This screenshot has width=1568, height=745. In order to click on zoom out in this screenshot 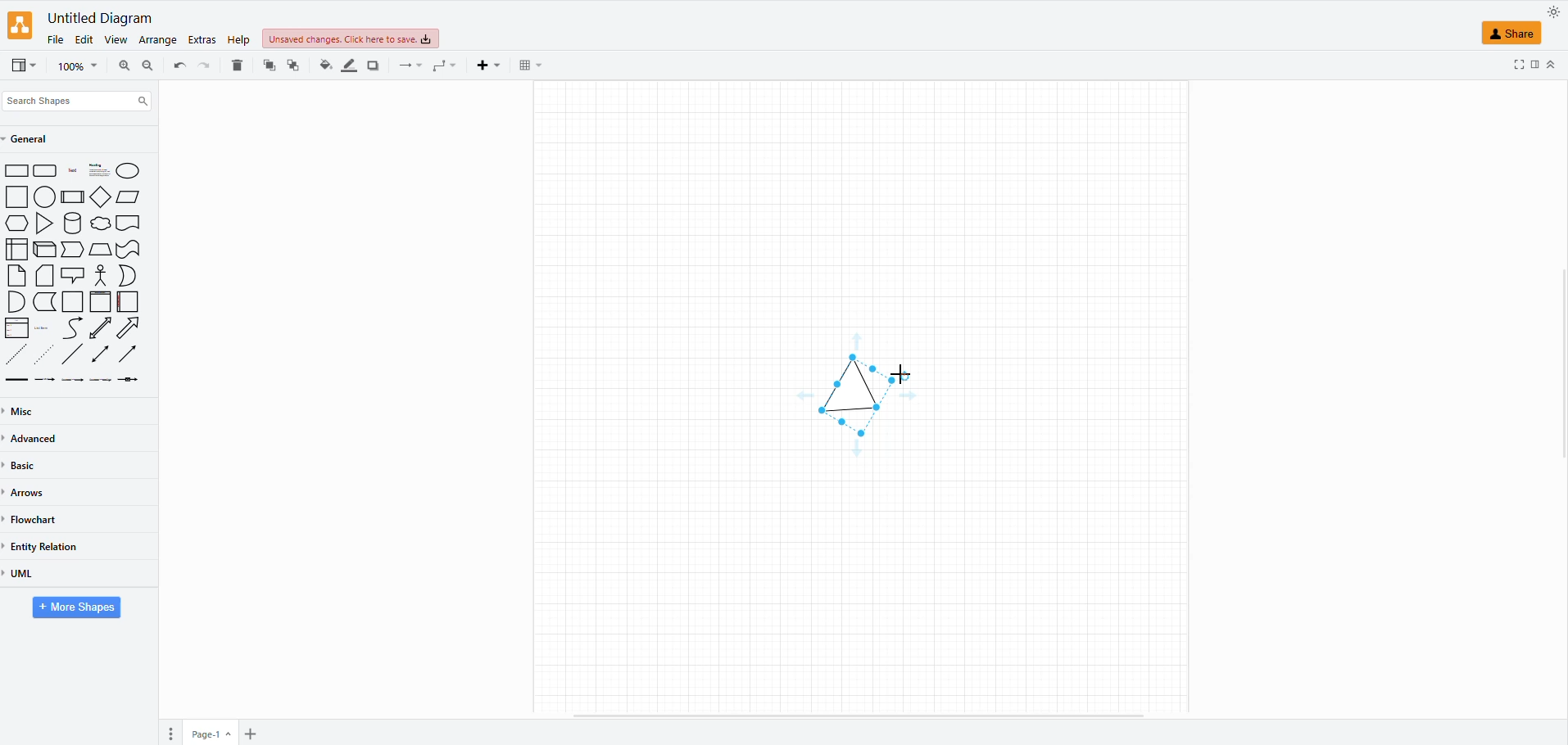, I will do `click(122, 63)`.